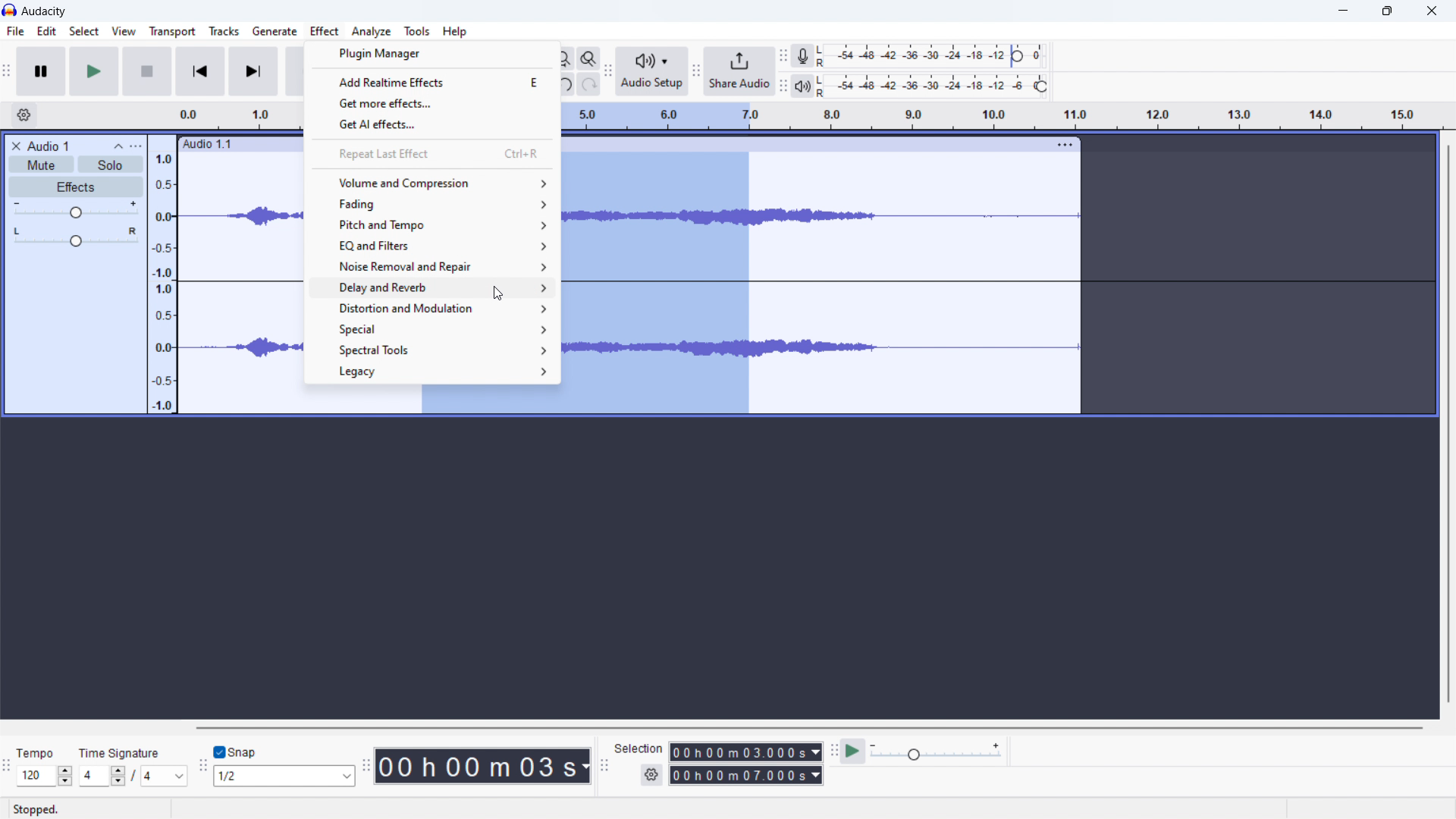  What do you see at coordinates (430, 245) in the screenshot?
I see `eq and filters` at bounding box center [430, 245].